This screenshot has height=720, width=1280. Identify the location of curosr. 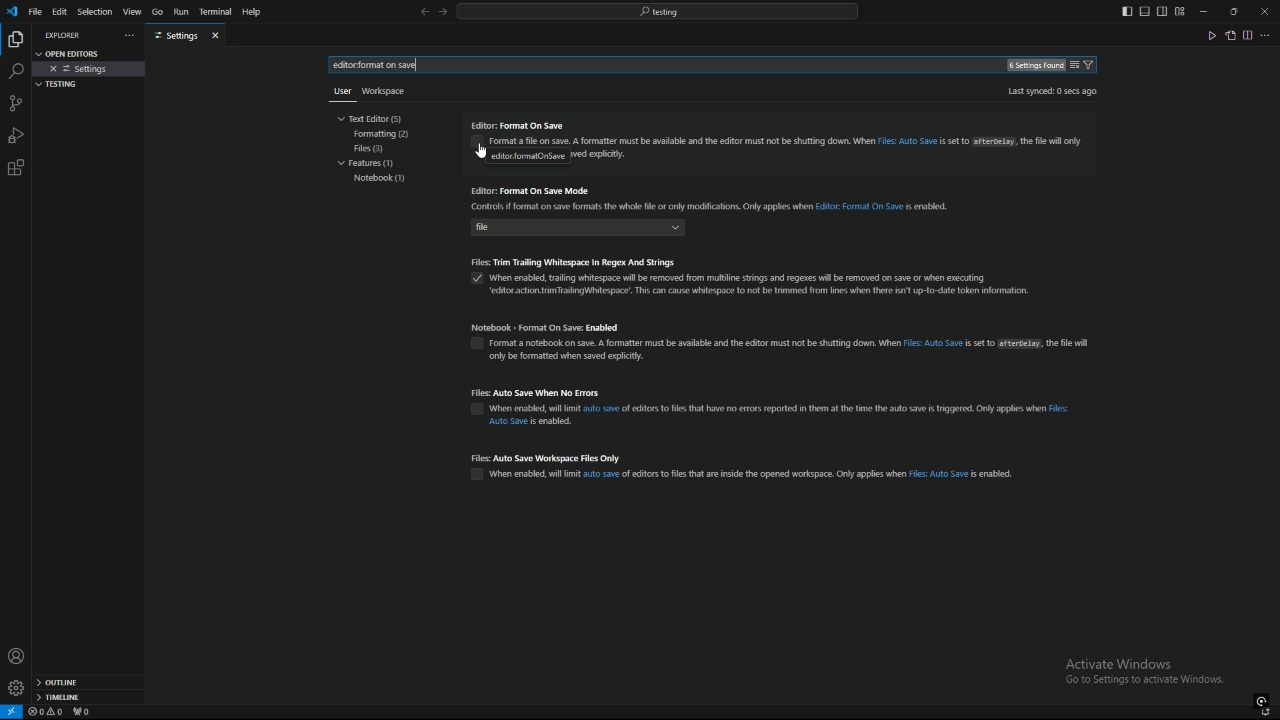
(485, 152).